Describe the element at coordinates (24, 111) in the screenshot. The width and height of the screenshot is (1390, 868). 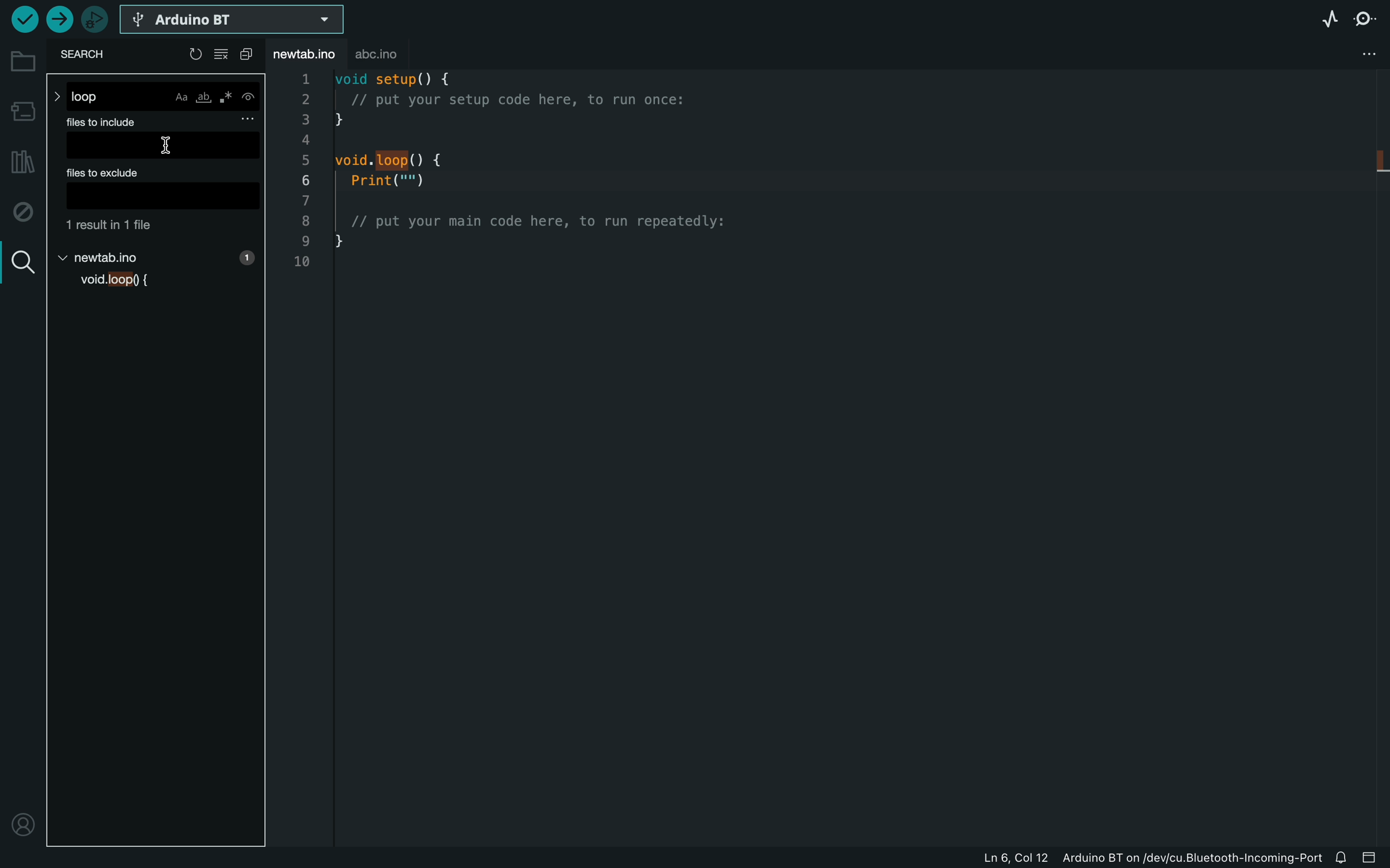
I see `board manager` at that location.